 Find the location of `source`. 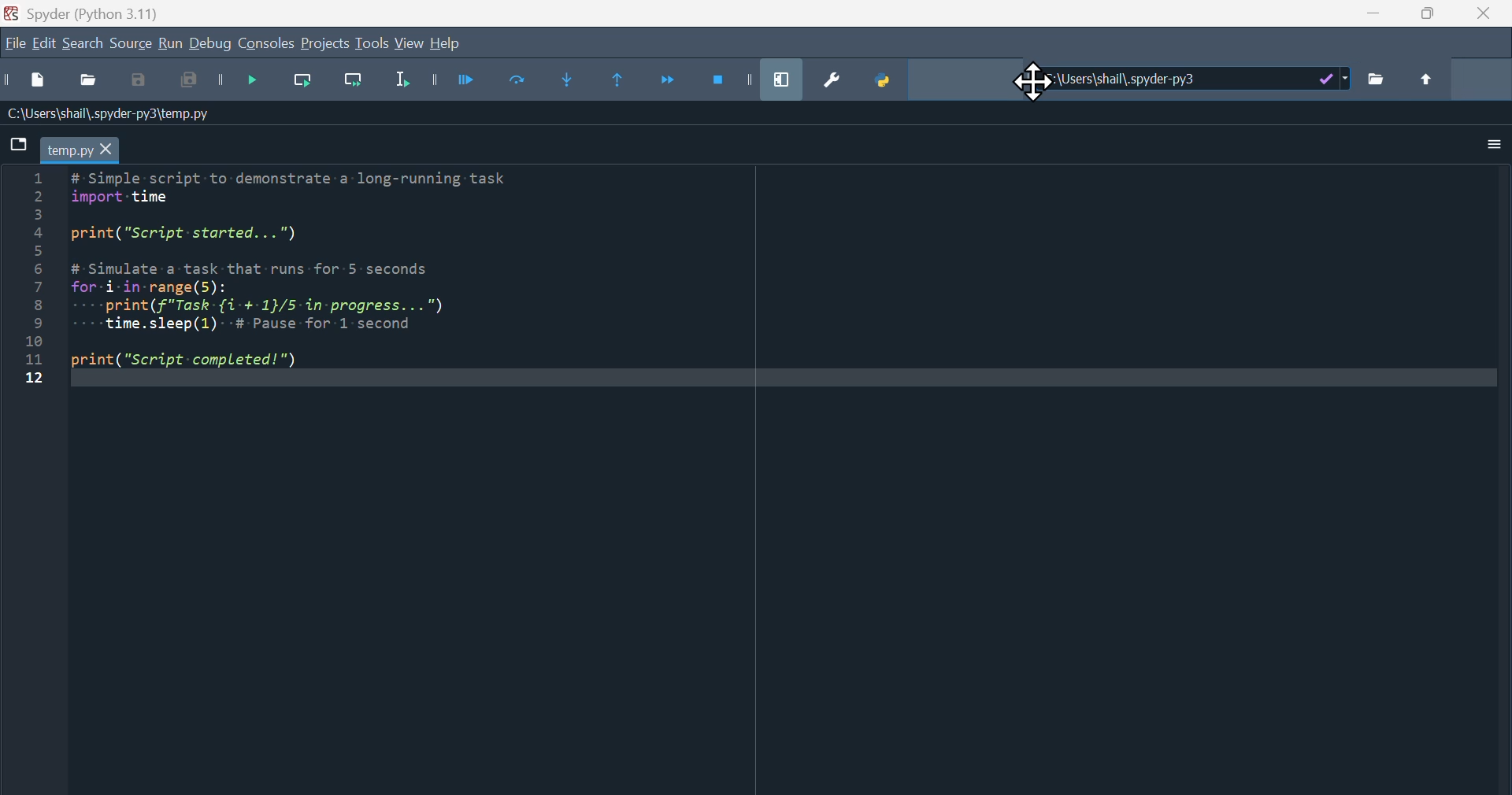

source is located at coordinates (129, 46).